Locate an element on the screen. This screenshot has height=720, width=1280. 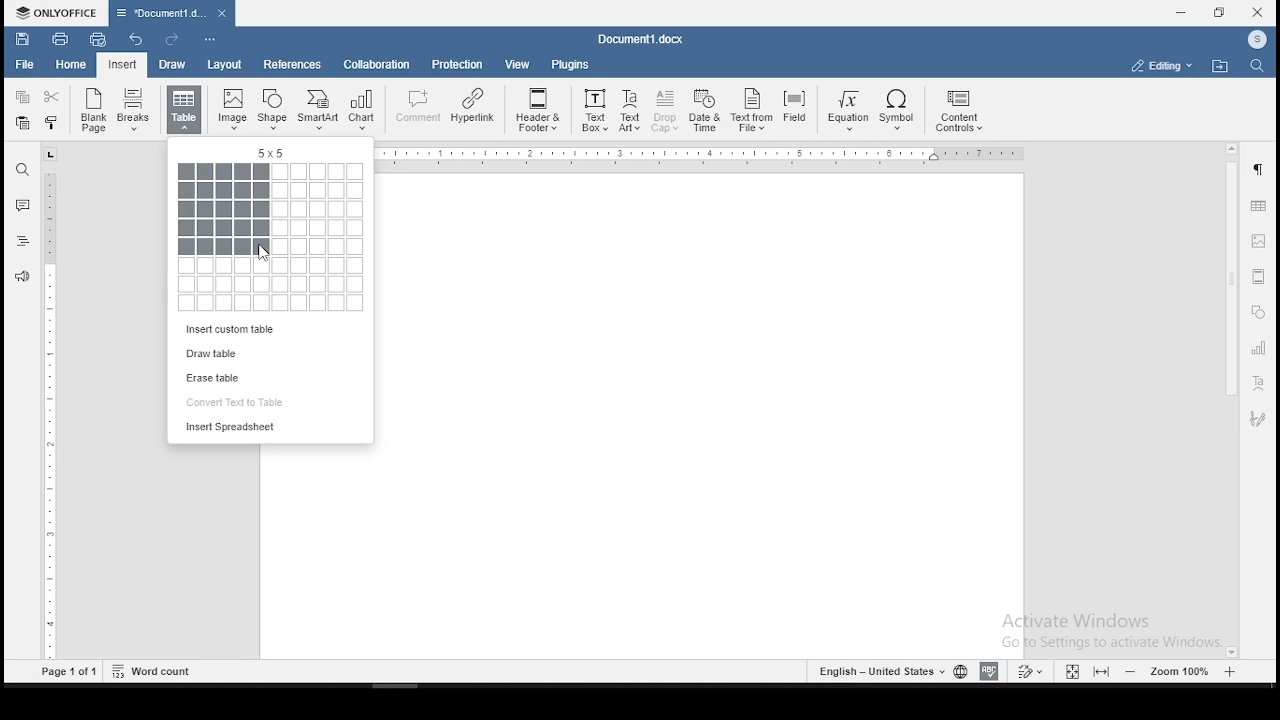
restore is located at coordinates (1219, 13).